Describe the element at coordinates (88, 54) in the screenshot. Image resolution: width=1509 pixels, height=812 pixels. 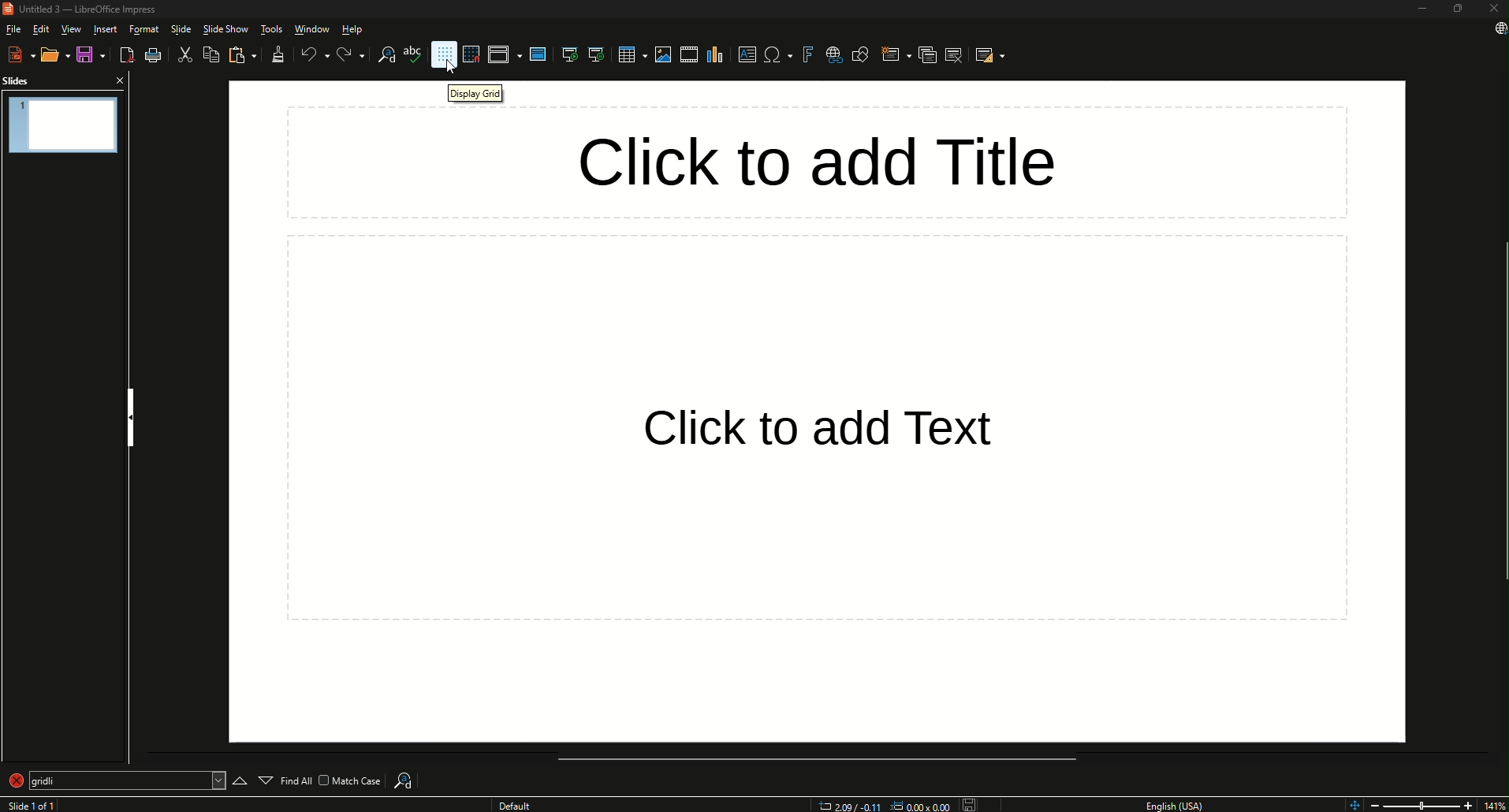
I see `Save` at that location.